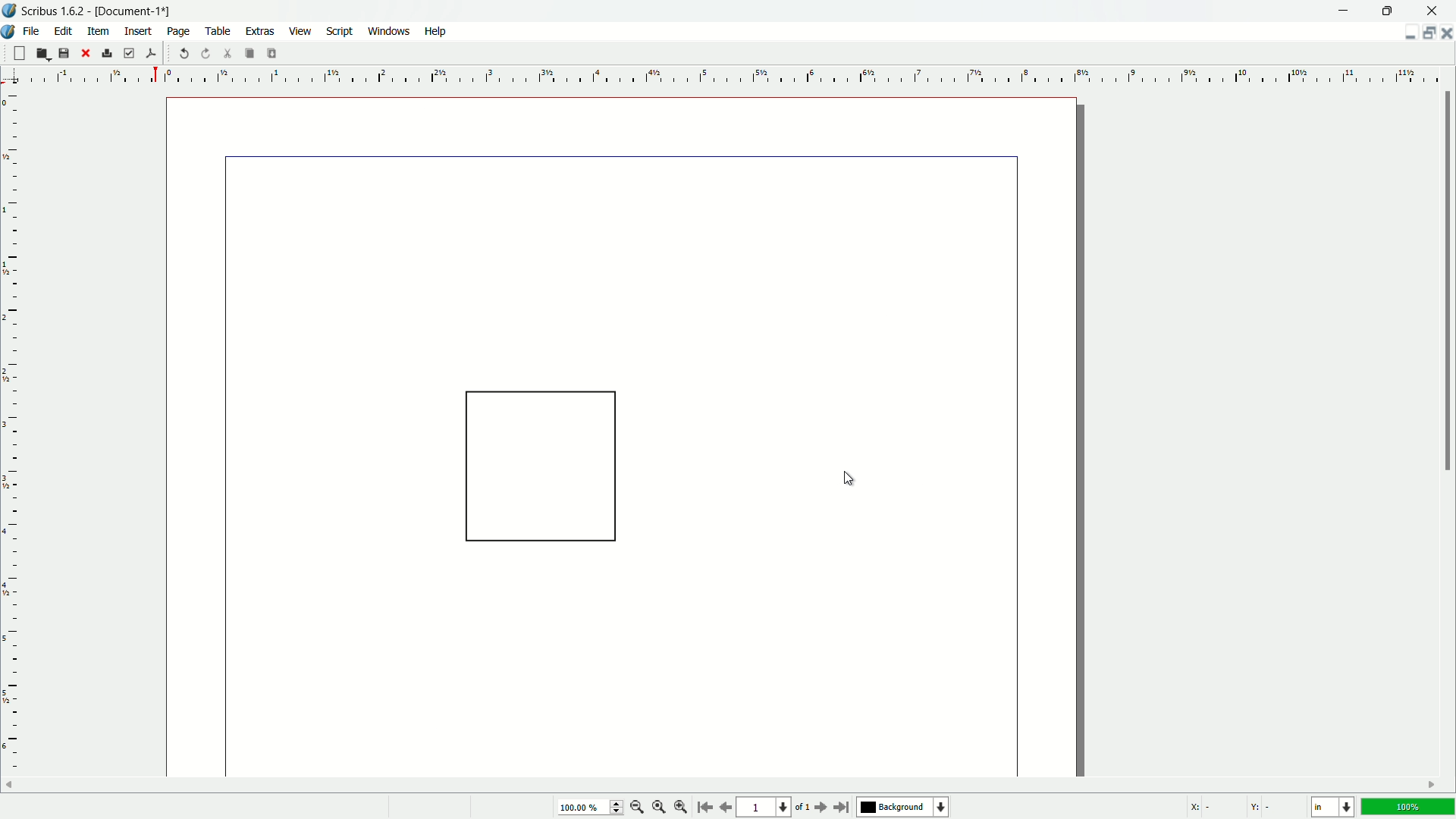  What do you see at coordinates (64, 53) in the screenshot?
I see `save` at bounding box center [64, 53].